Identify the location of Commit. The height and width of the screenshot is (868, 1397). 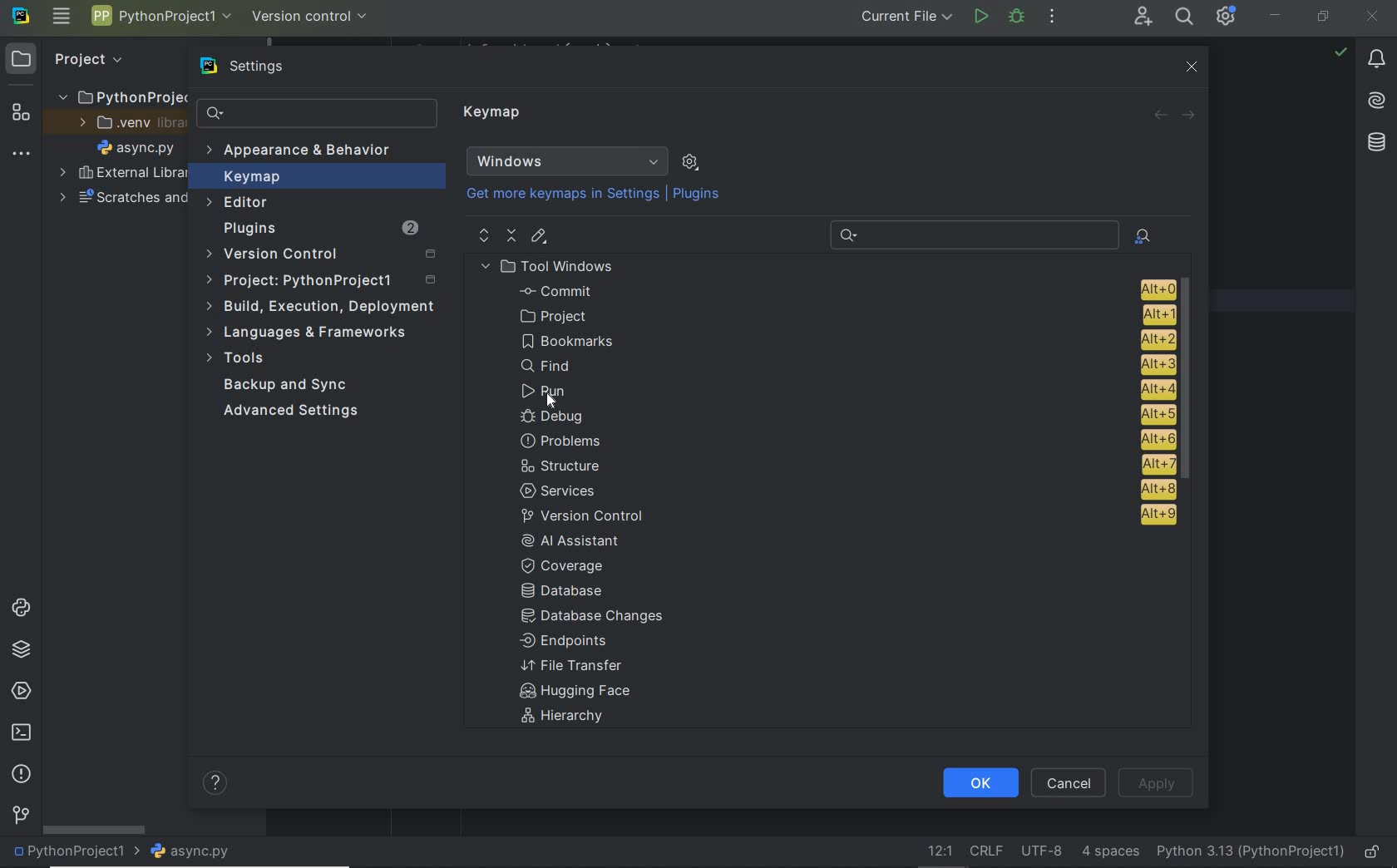
(844, 291).